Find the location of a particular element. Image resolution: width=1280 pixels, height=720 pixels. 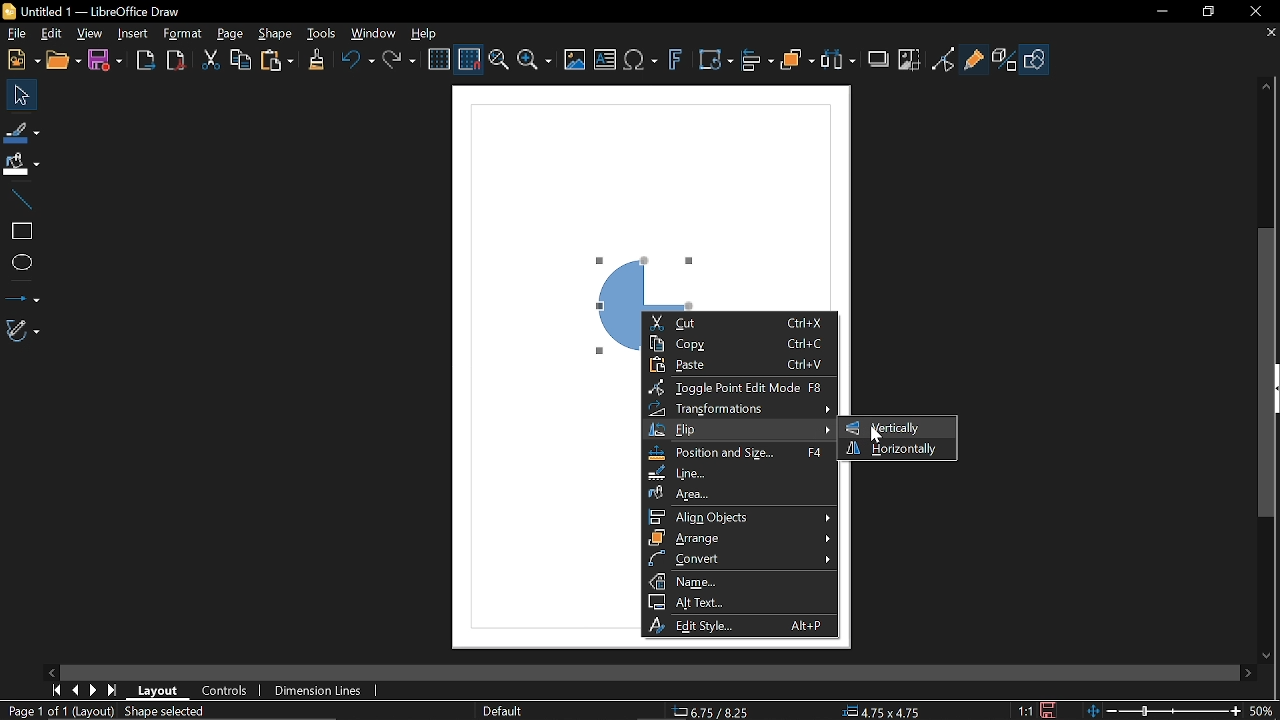

Position and size  F4 is located at coordinates (742, 454).